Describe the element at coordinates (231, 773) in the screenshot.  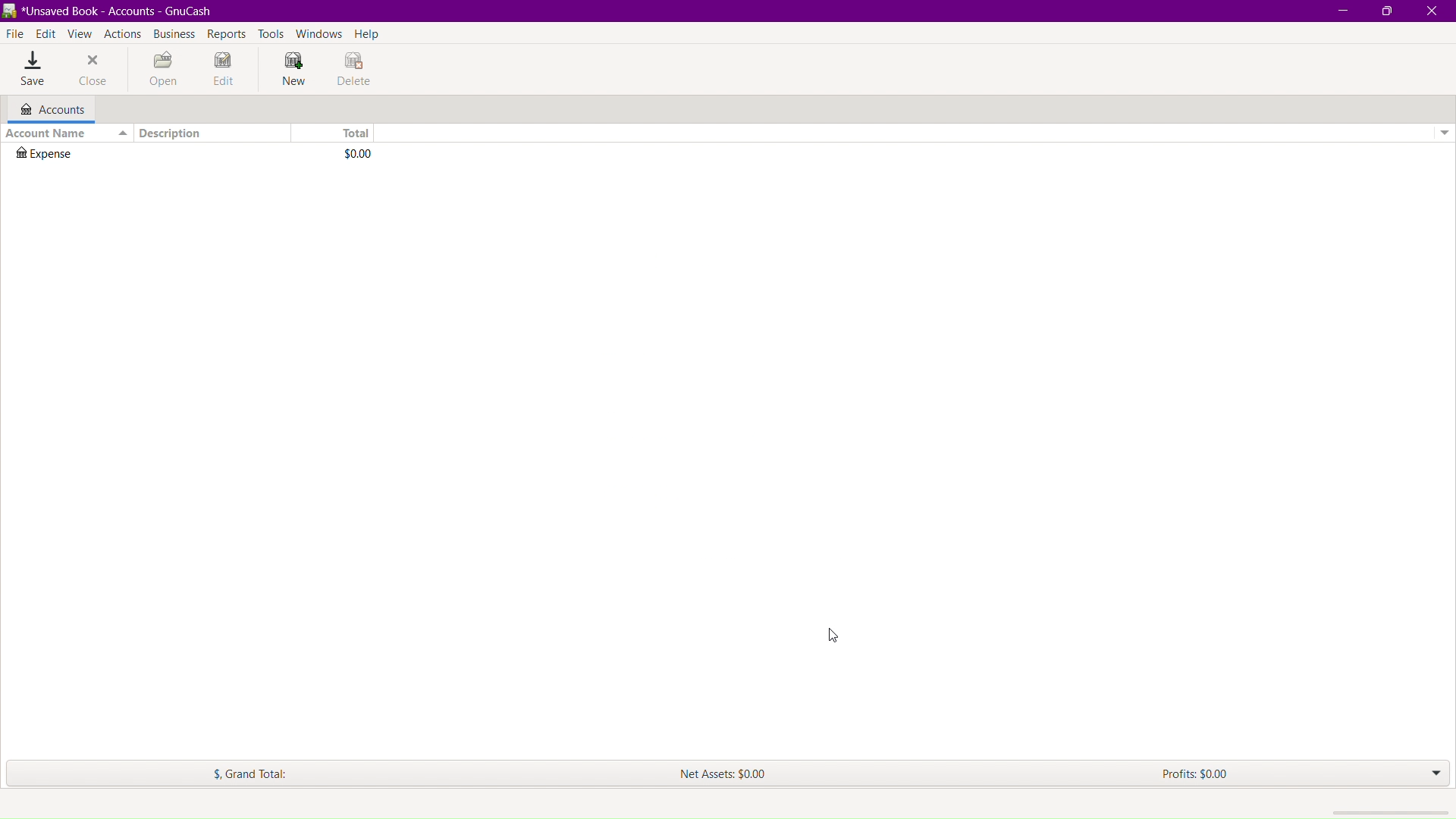
I see `$. Grand Total` at that location.